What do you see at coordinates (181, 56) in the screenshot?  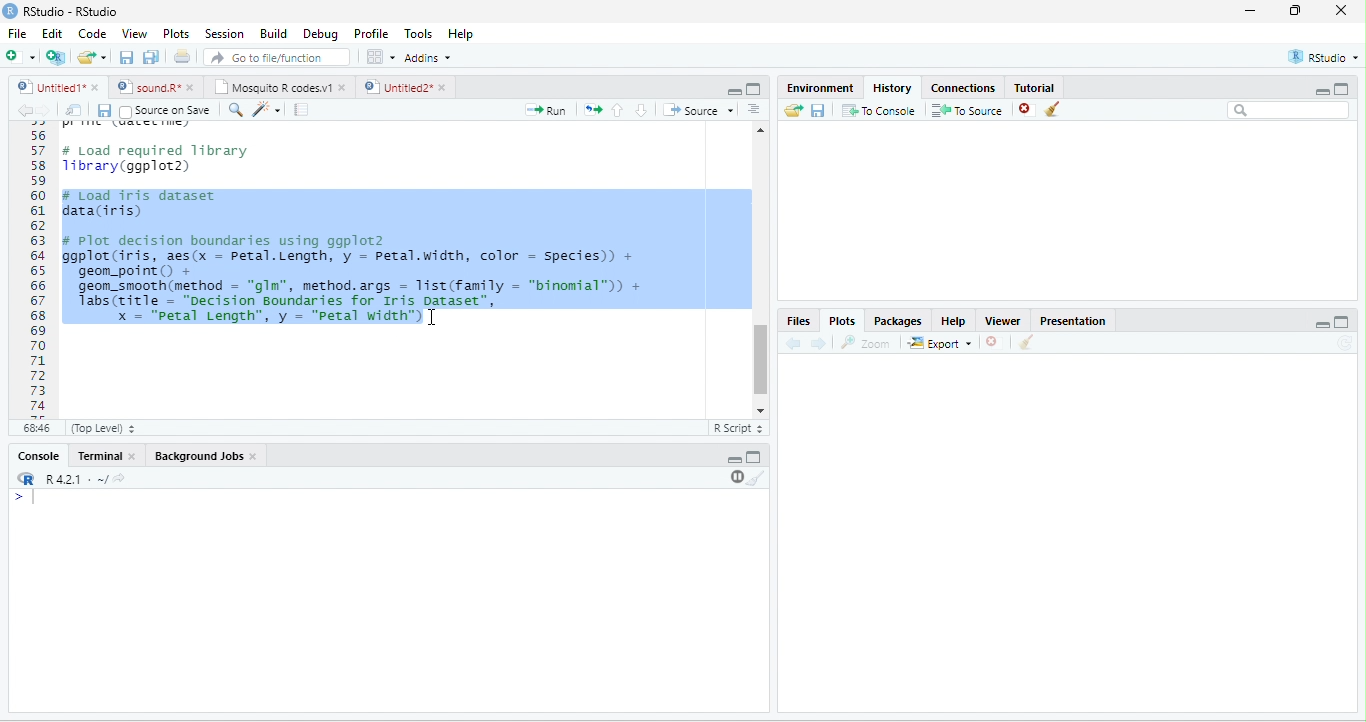 I see `print` at bounding box center [181, 56].